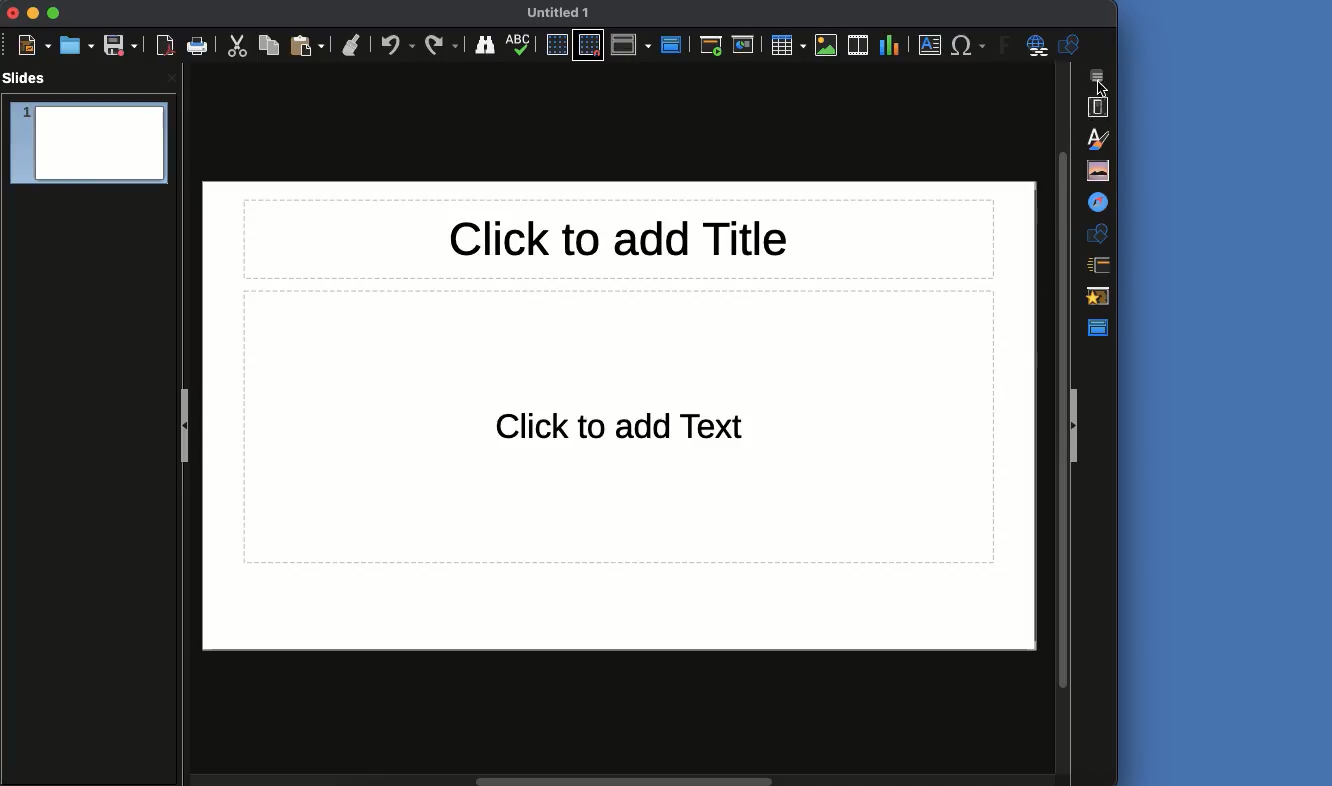 Image resolution: width=1332 pixels, height=786 pixels. I want to click on Master view, so click(673, 43).